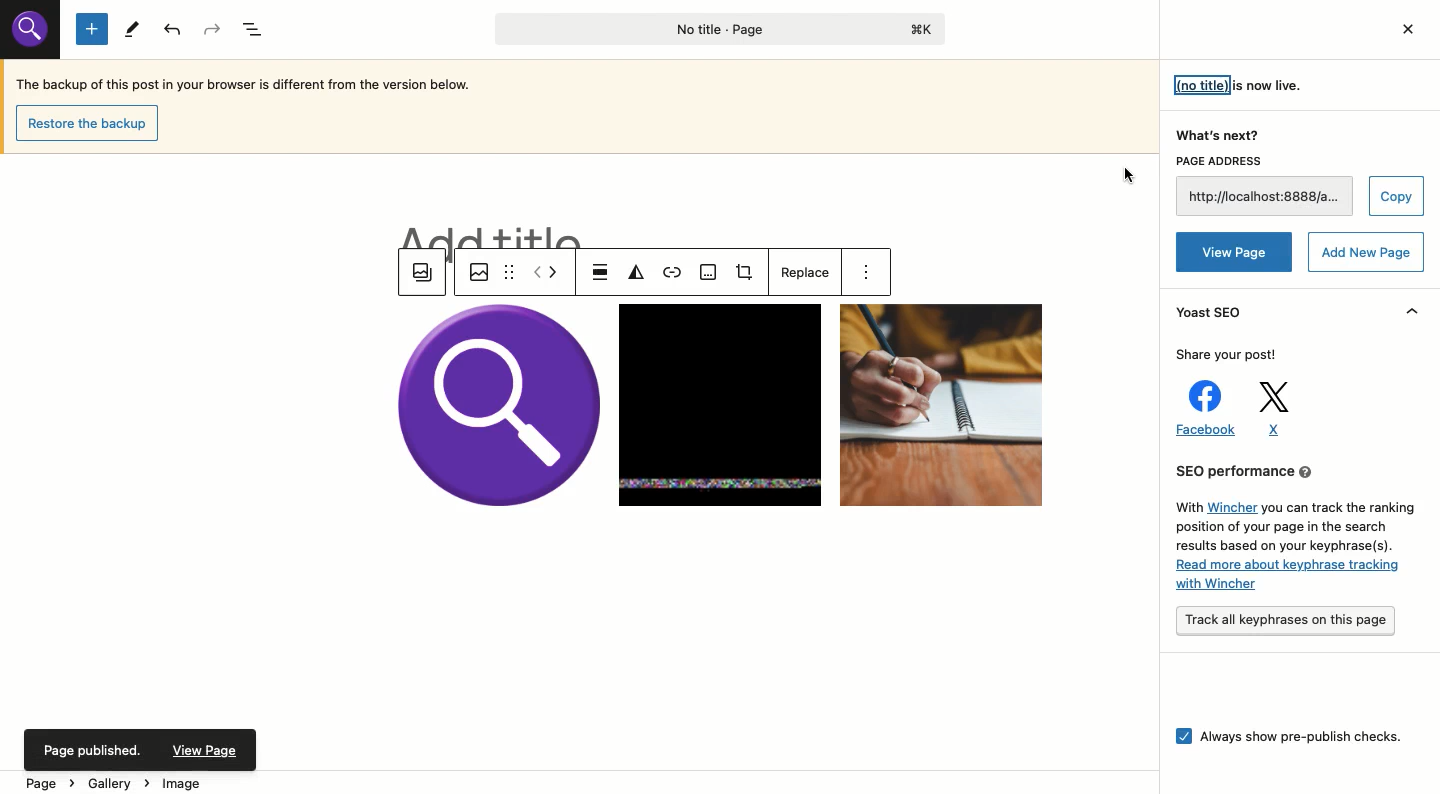 This screenshot has height=794, width=1440. I want to click on View page, so click(1235, 249).